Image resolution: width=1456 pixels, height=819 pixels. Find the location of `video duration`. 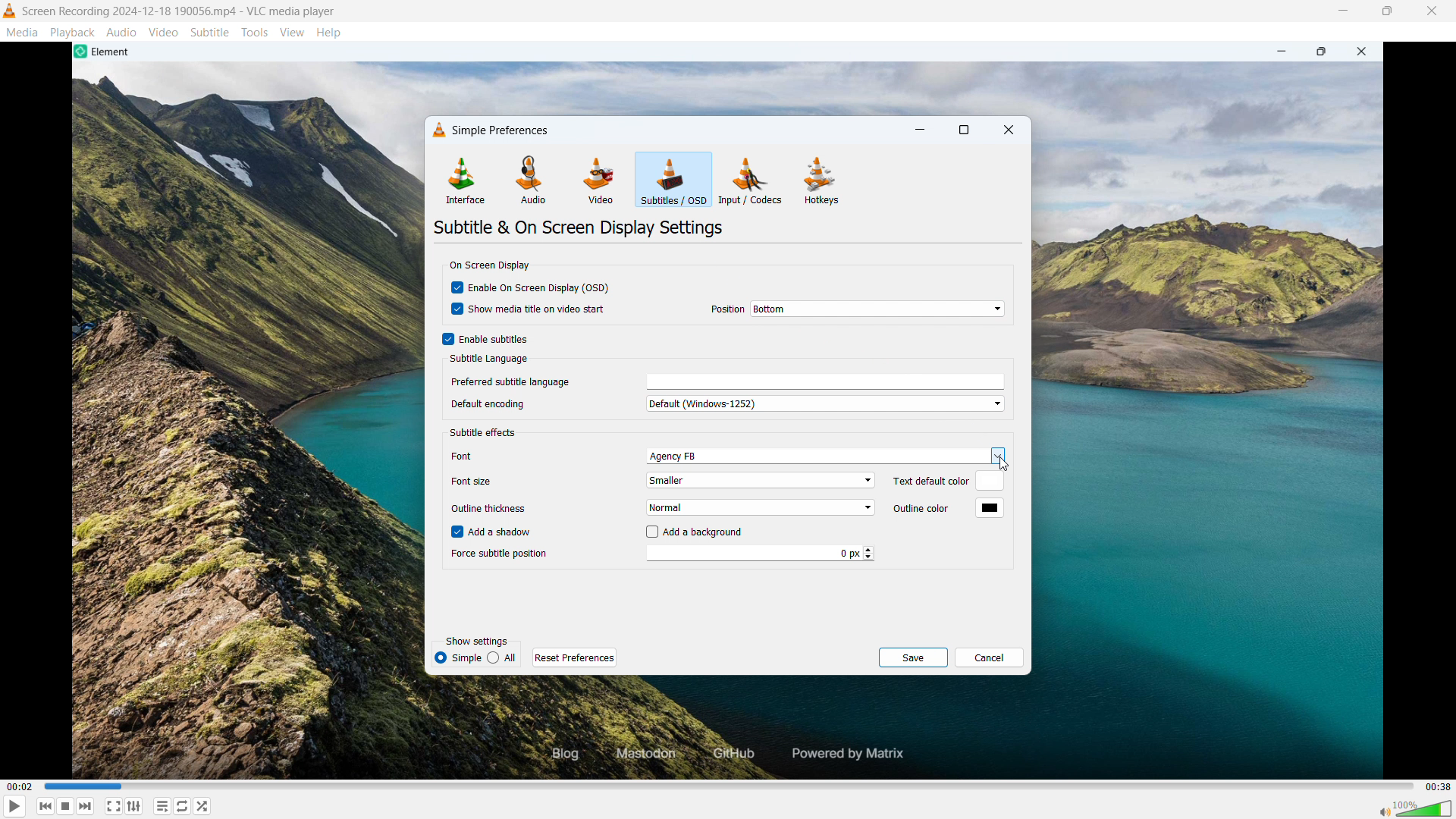

video duration is located at coordinates (1439, 787).